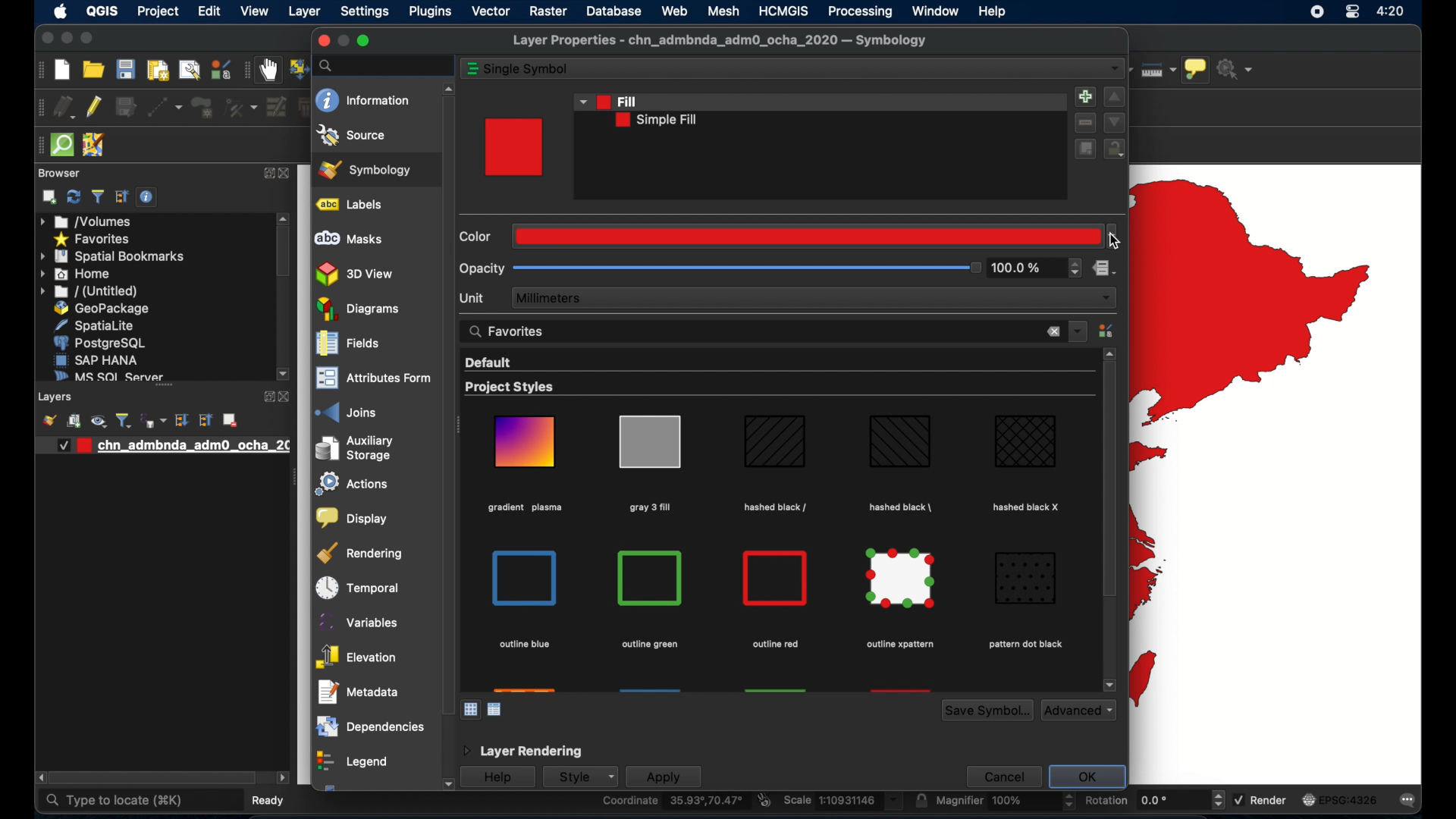  Describe the element at coordinates (1340, 799) in the screenshot. I see `EPSG:4326` at that location.